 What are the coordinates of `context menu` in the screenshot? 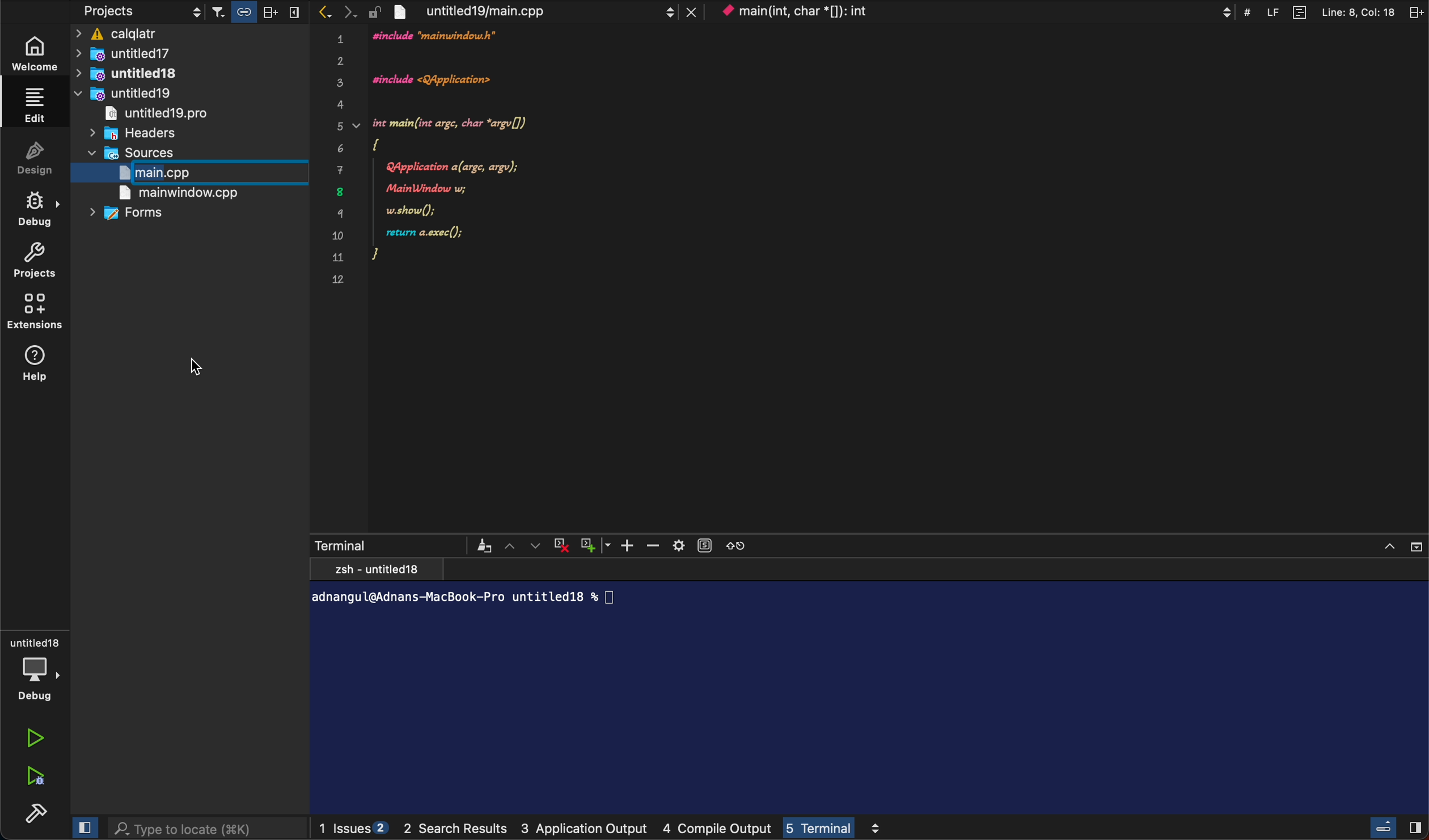 It's located at (975, 11).